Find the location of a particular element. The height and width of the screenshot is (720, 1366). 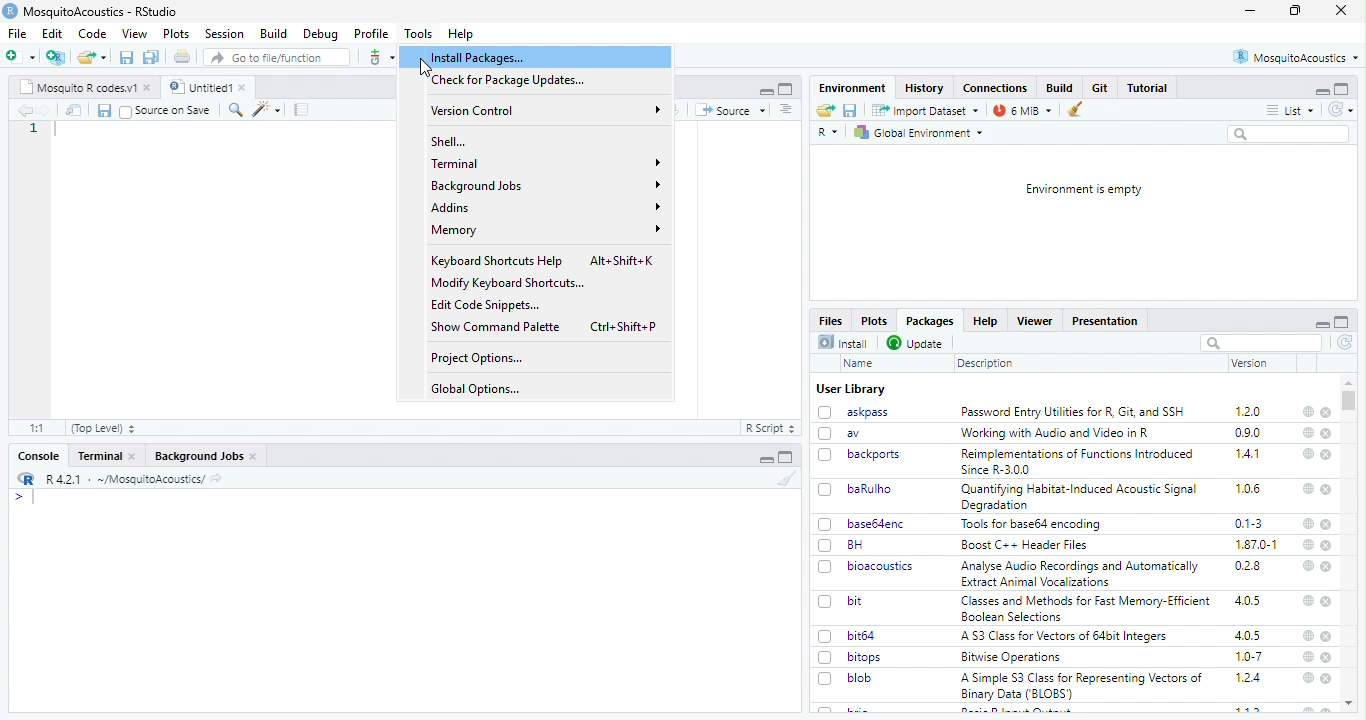

web is located at coordinates (1310, 433).